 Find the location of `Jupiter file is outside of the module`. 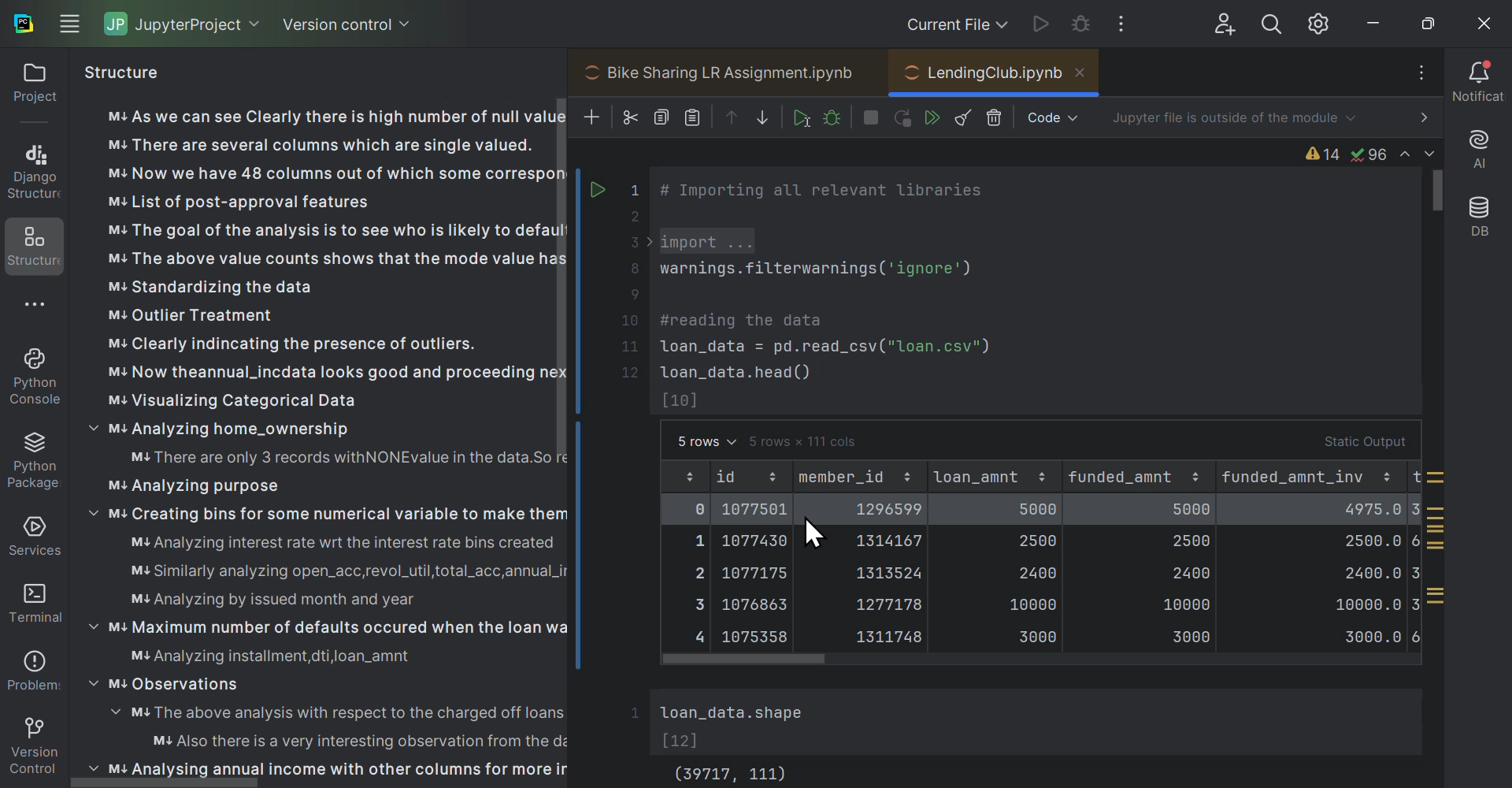

Jupiter file is outside of the module is located at coordinates (1264, 117).